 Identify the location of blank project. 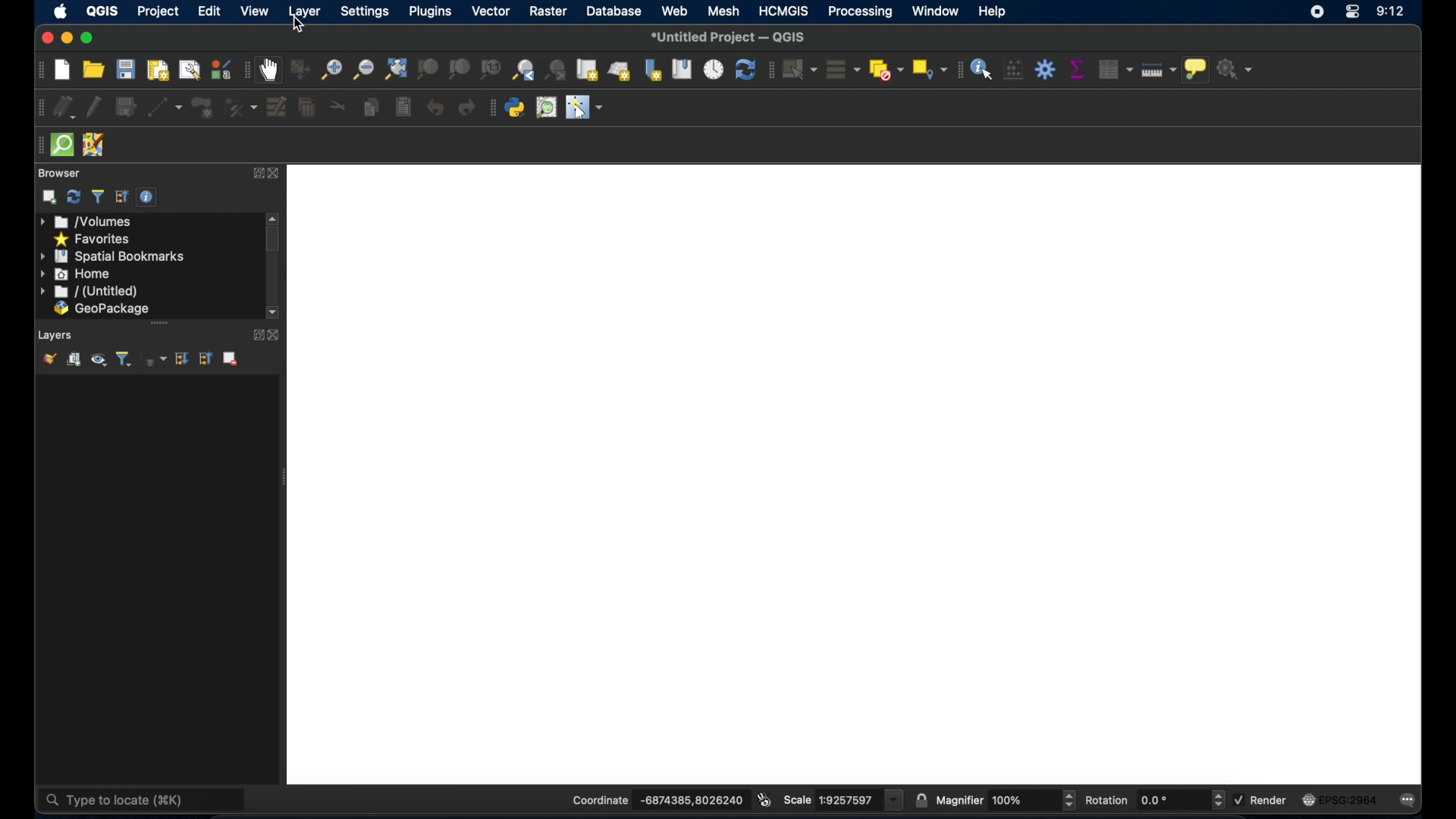
(859, 473).